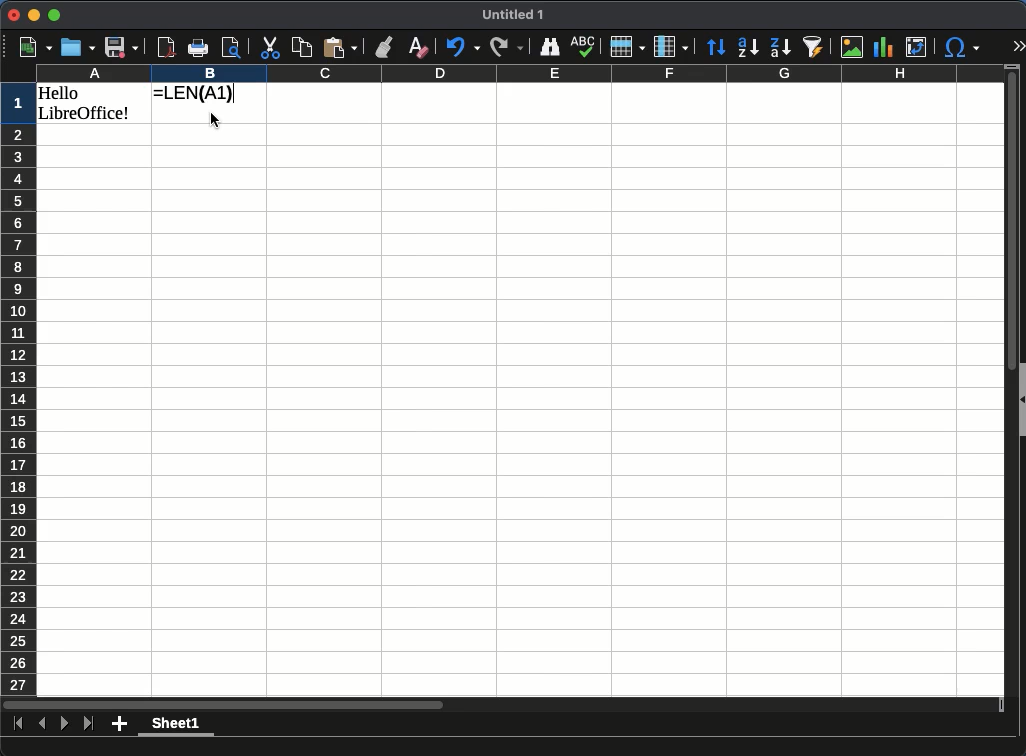 This screenshot has width=1026, height=756. I want to click on cursor, so click(216, 120).